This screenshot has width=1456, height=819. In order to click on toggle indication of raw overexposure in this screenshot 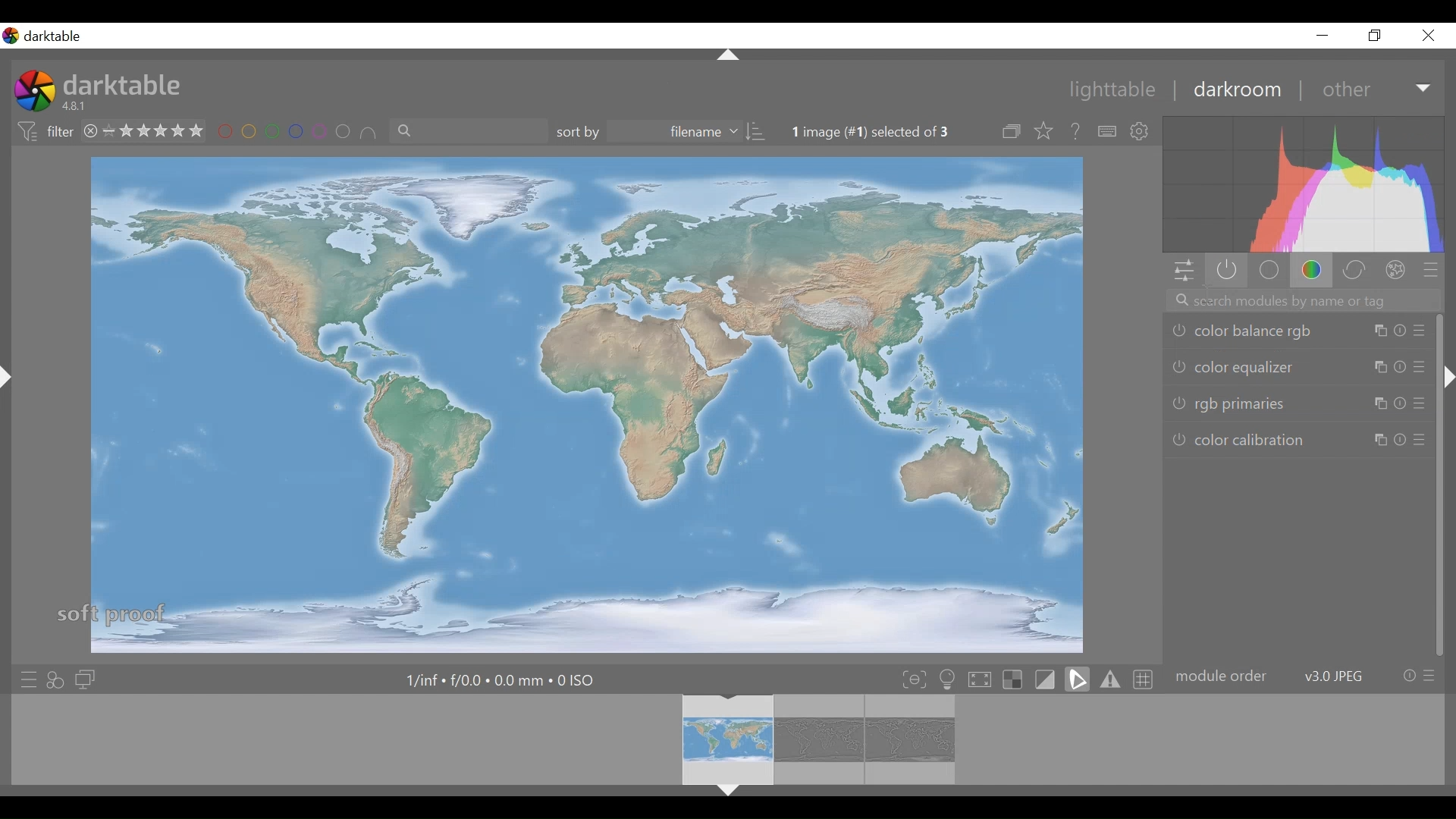, I will do `click(1015, 680)`.